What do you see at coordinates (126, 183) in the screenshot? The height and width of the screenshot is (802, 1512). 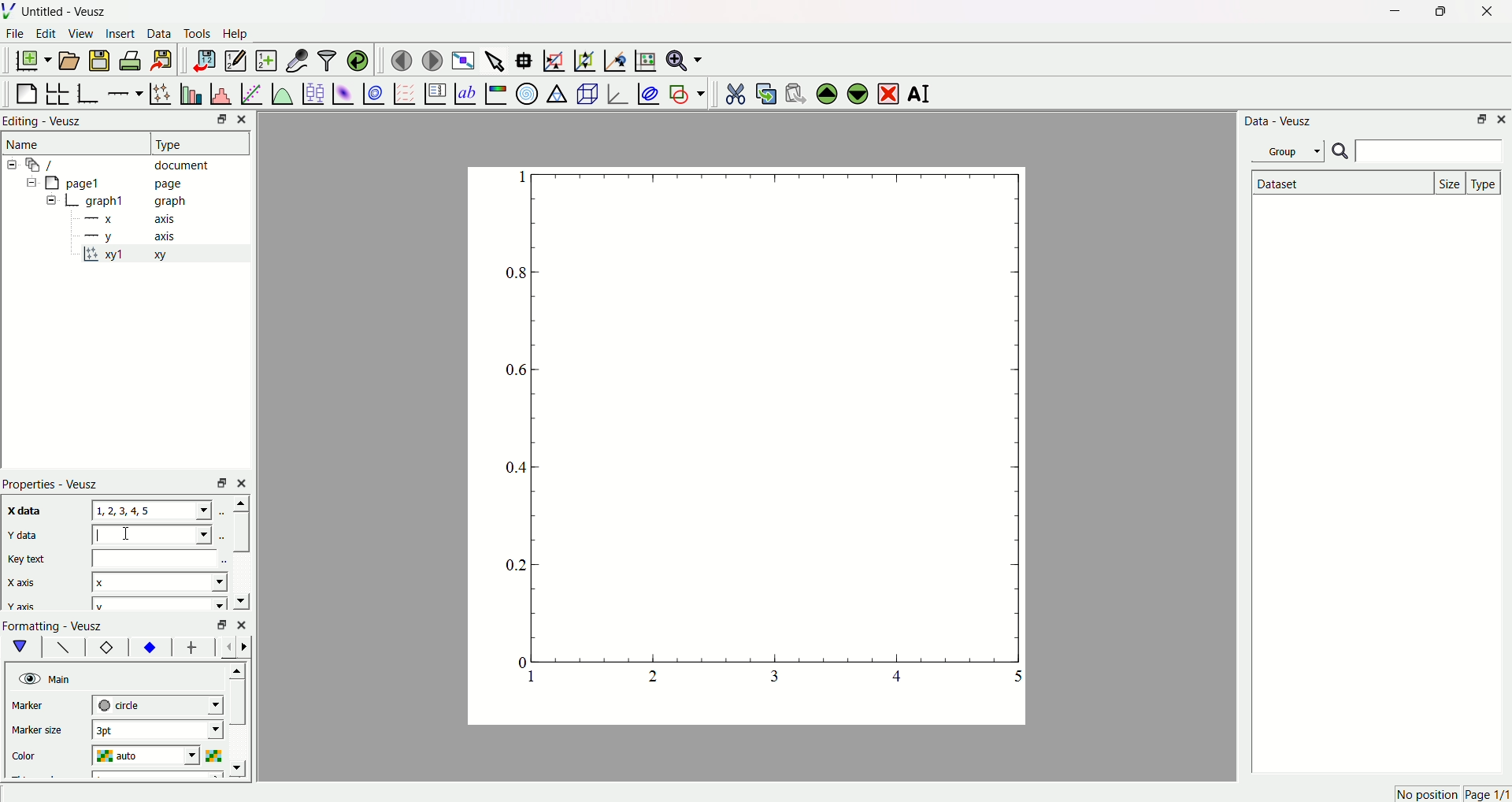 I see `pagel1 page` at bounding box center [126, 183].